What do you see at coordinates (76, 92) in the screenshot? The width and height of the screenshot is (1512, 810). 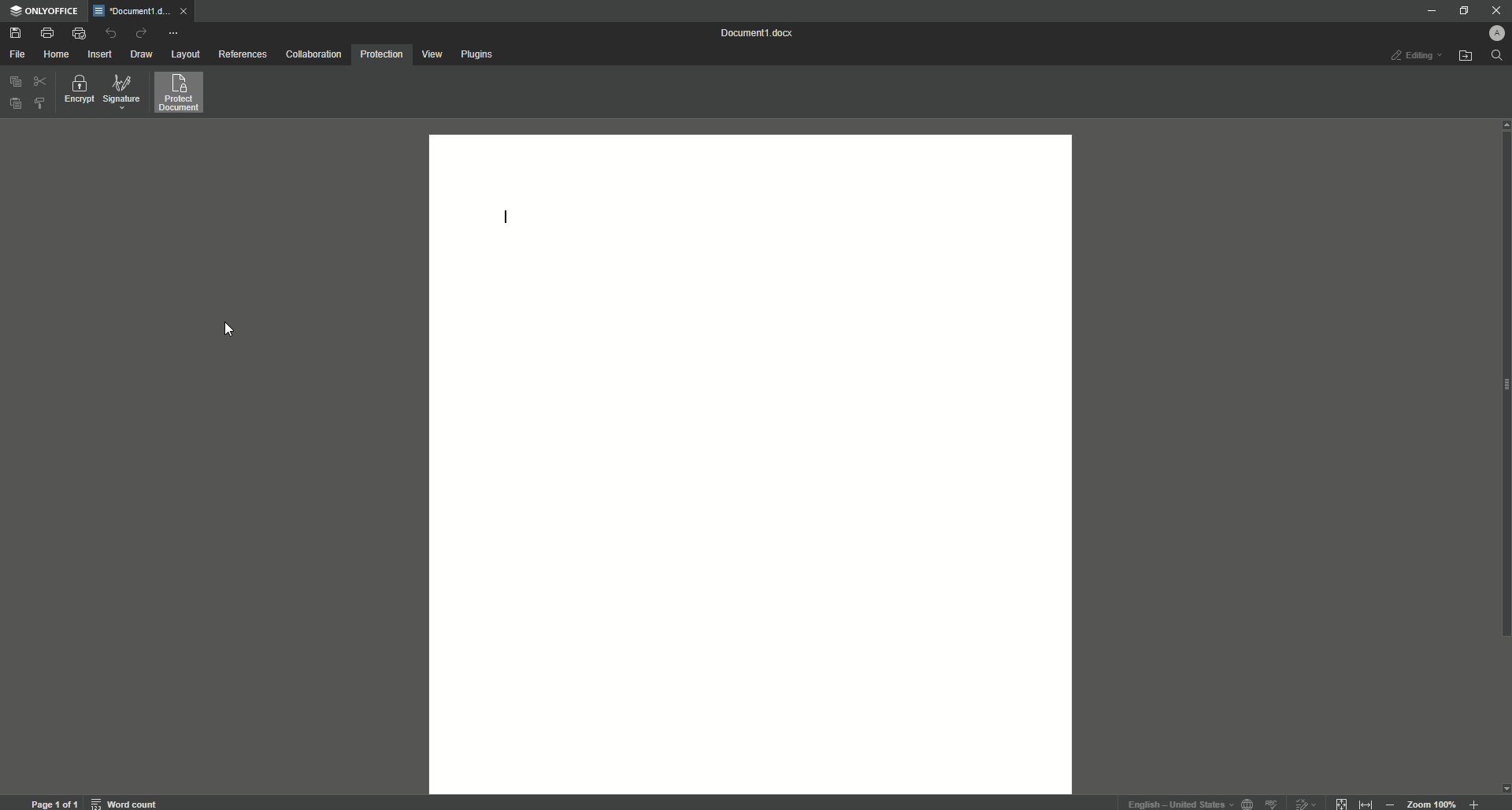 I see `Encrypt` at bounding box center [76, 92].